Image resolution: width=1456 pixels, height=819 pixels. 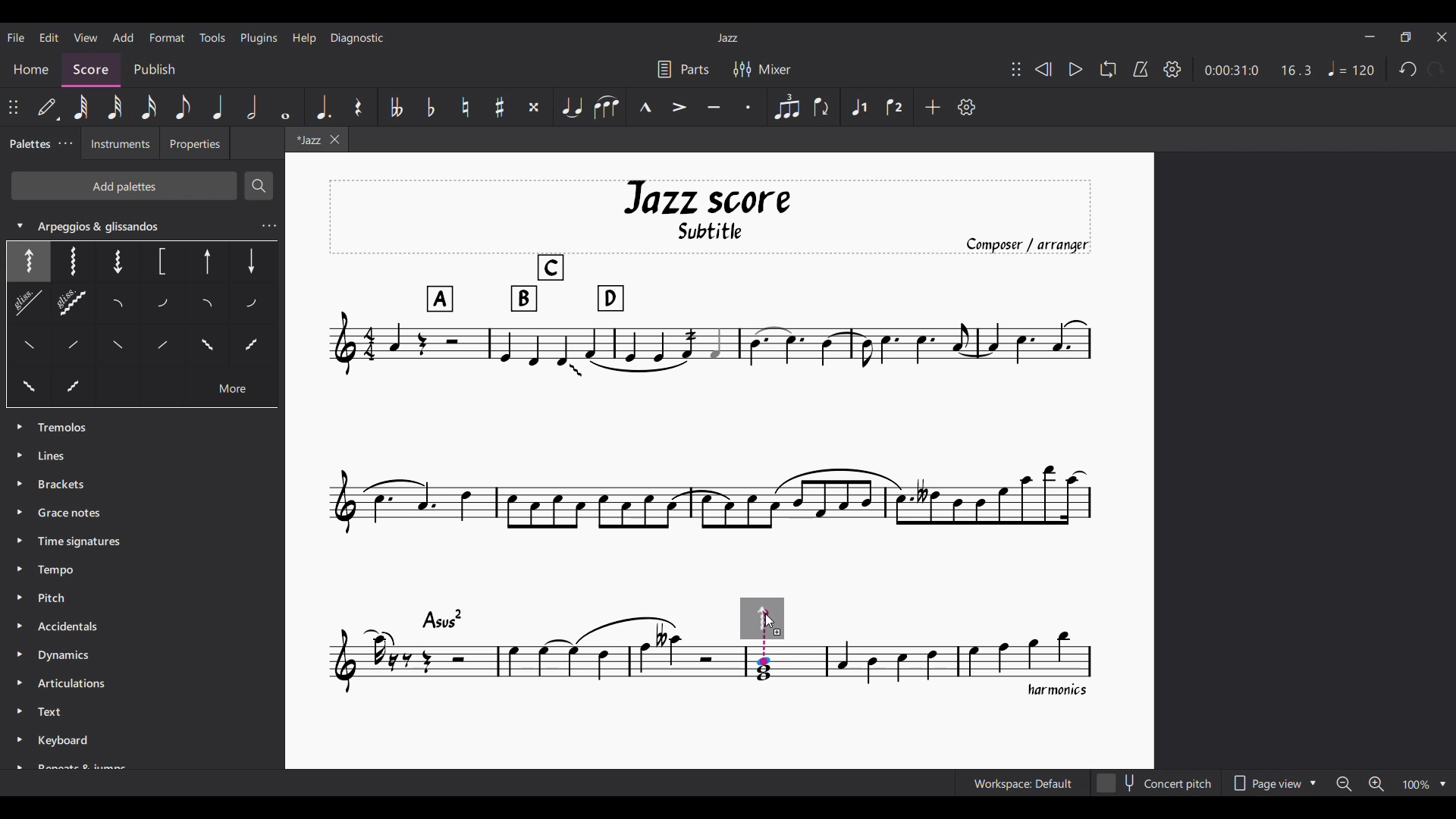 What do you see at coordinates (205, 263) in the screenshot?
I see `` at bounding box center [205, 263].